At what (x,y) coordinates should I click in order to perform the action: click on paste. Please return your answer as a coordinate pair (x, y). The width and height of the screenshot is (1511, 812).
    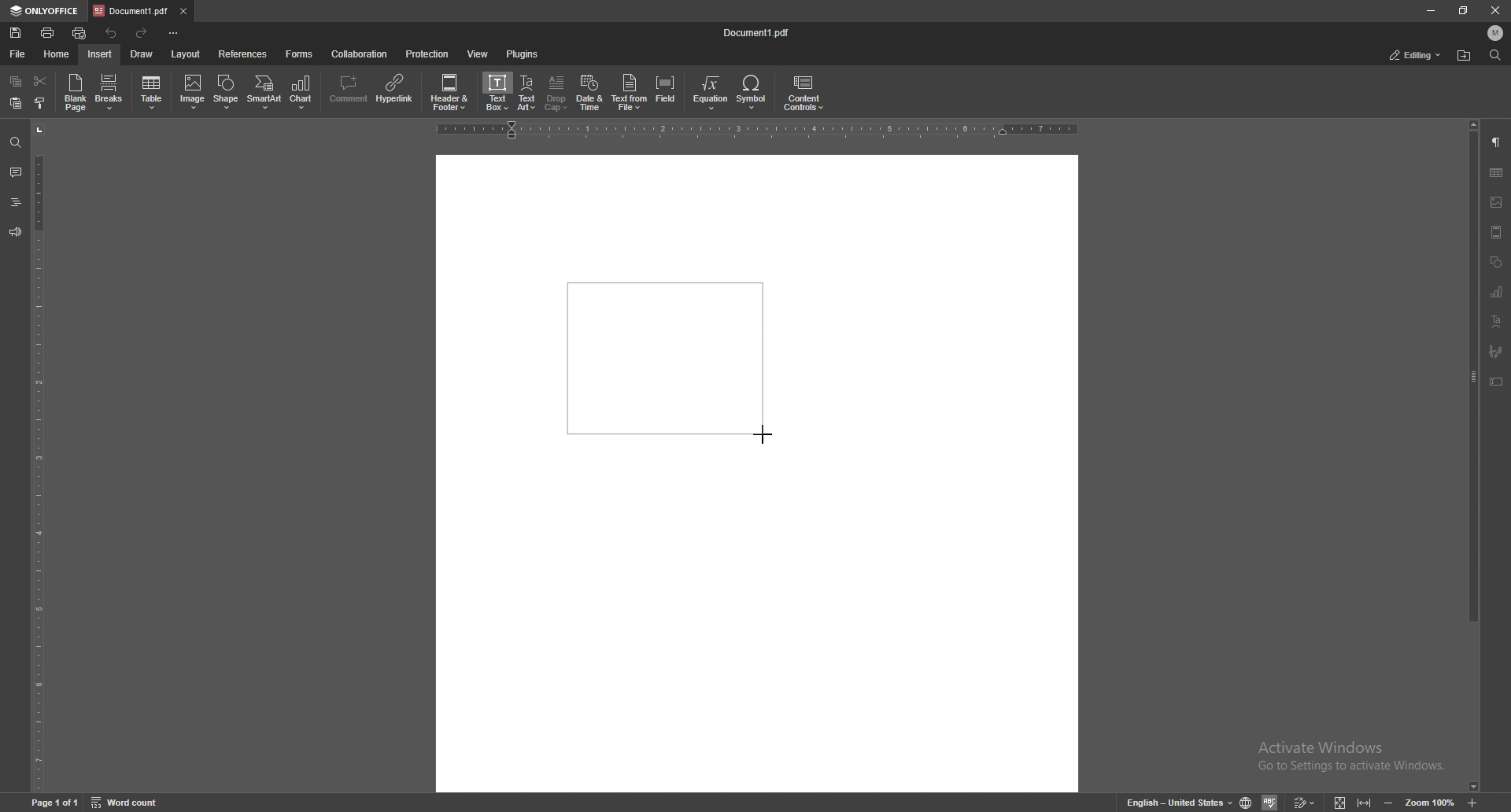
    Looking at the image, I should click on (17, 104).